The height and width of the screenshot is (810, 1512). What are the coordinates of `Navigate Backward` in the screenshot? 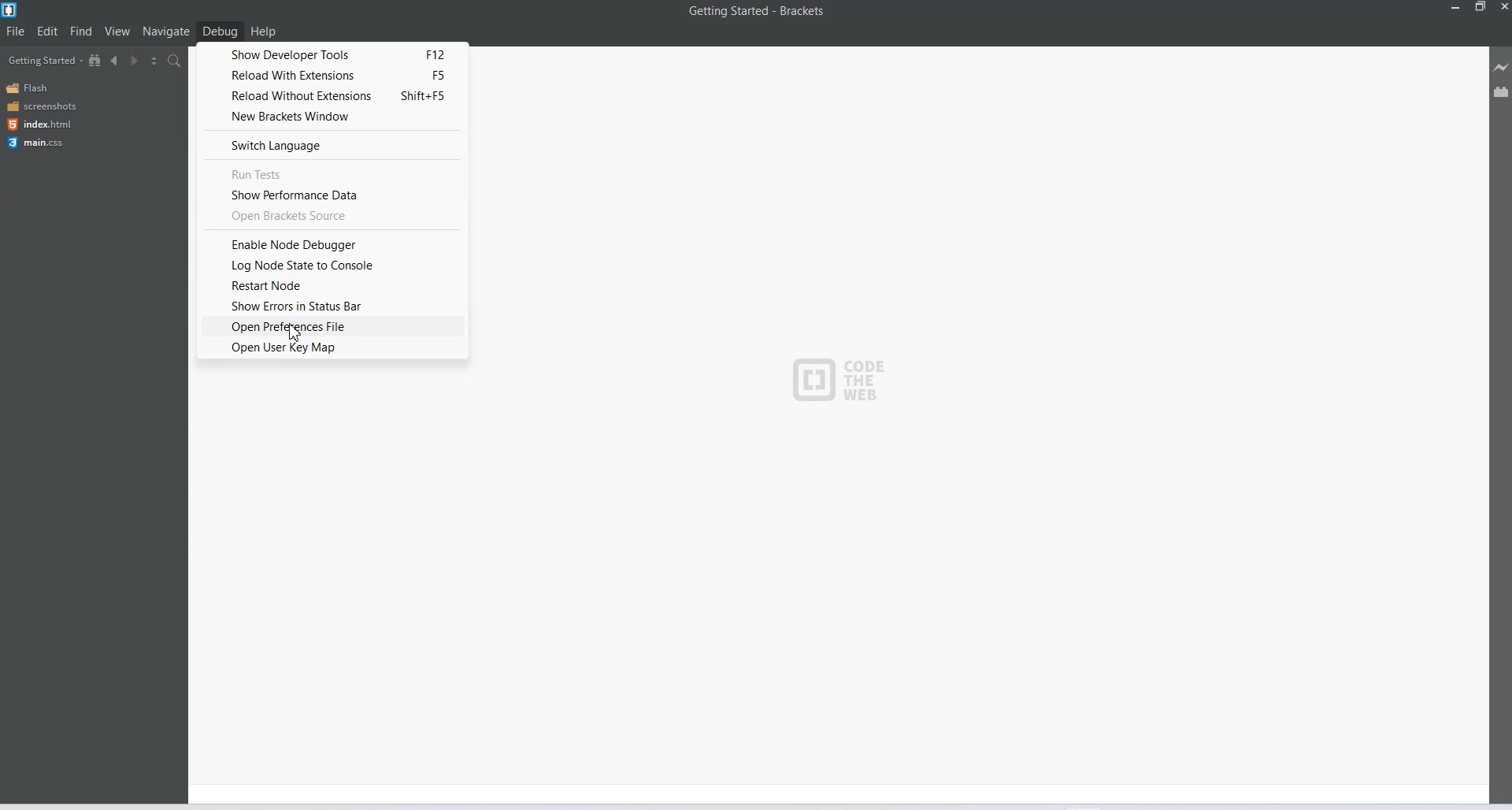 It's located at (117, 60).